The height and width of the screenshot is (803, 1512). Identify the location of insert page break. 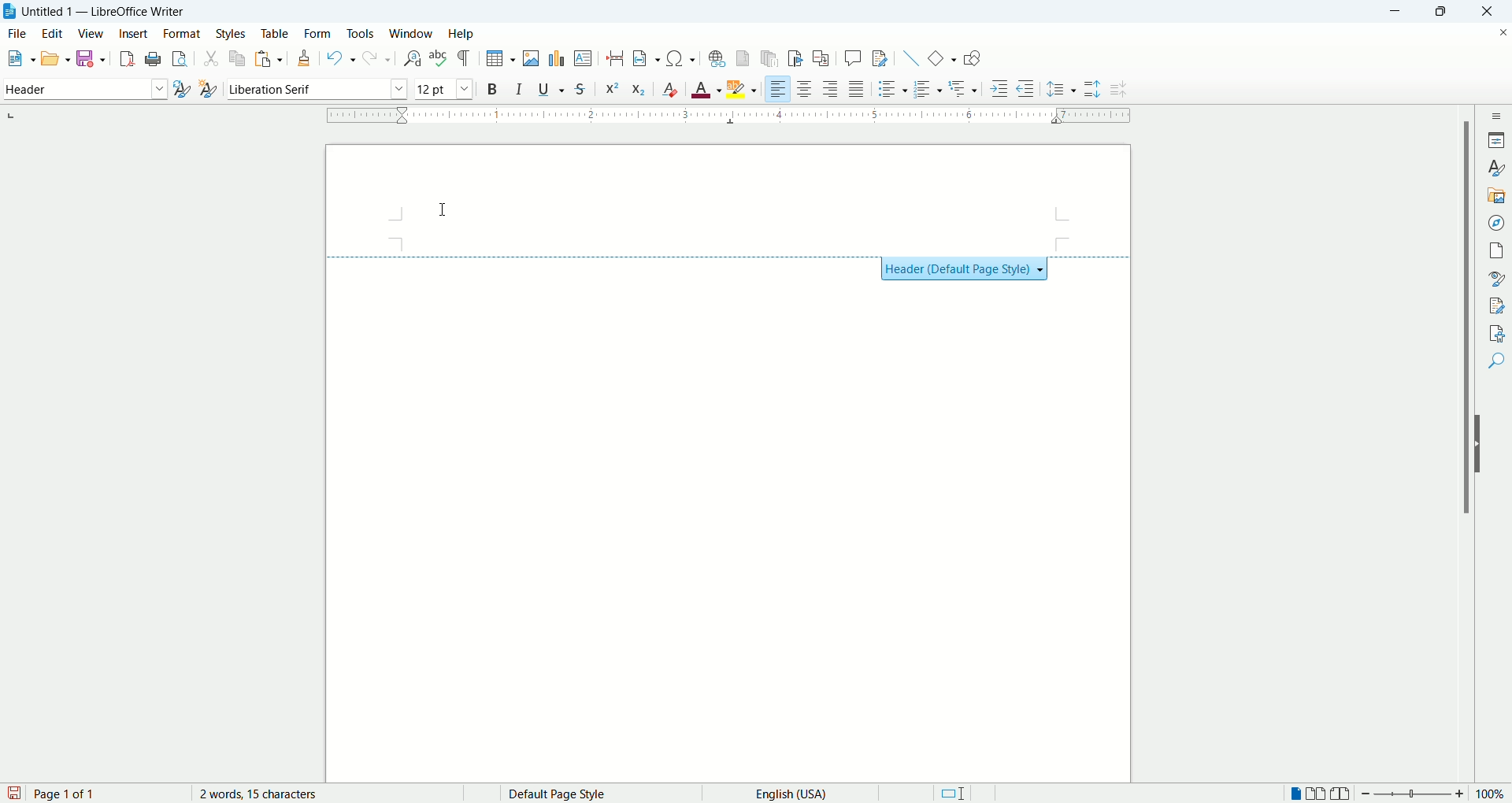
(615, 57).